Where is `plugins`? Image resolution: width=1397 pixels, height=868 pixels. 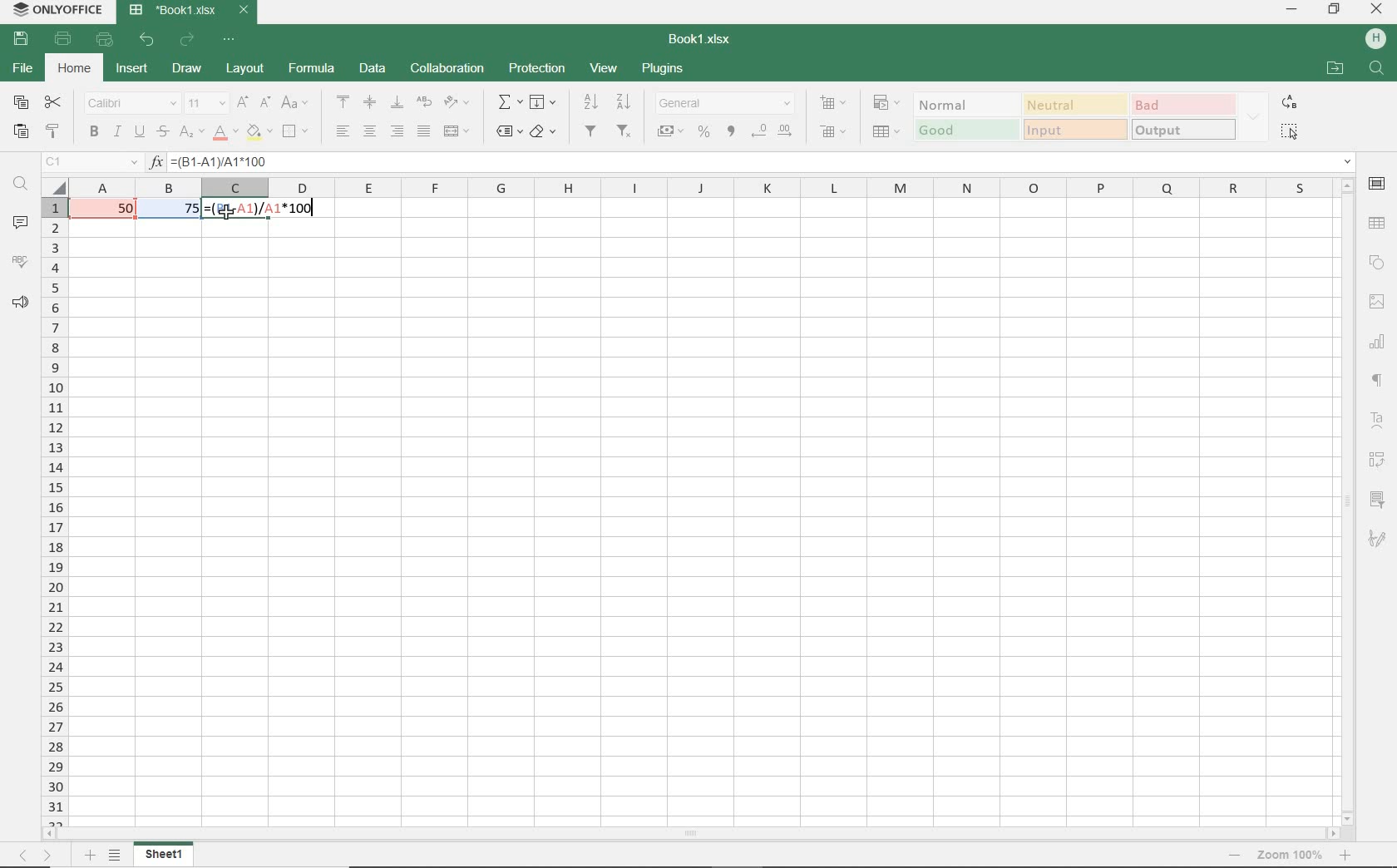 plugins is located at coordinates (660, 67).